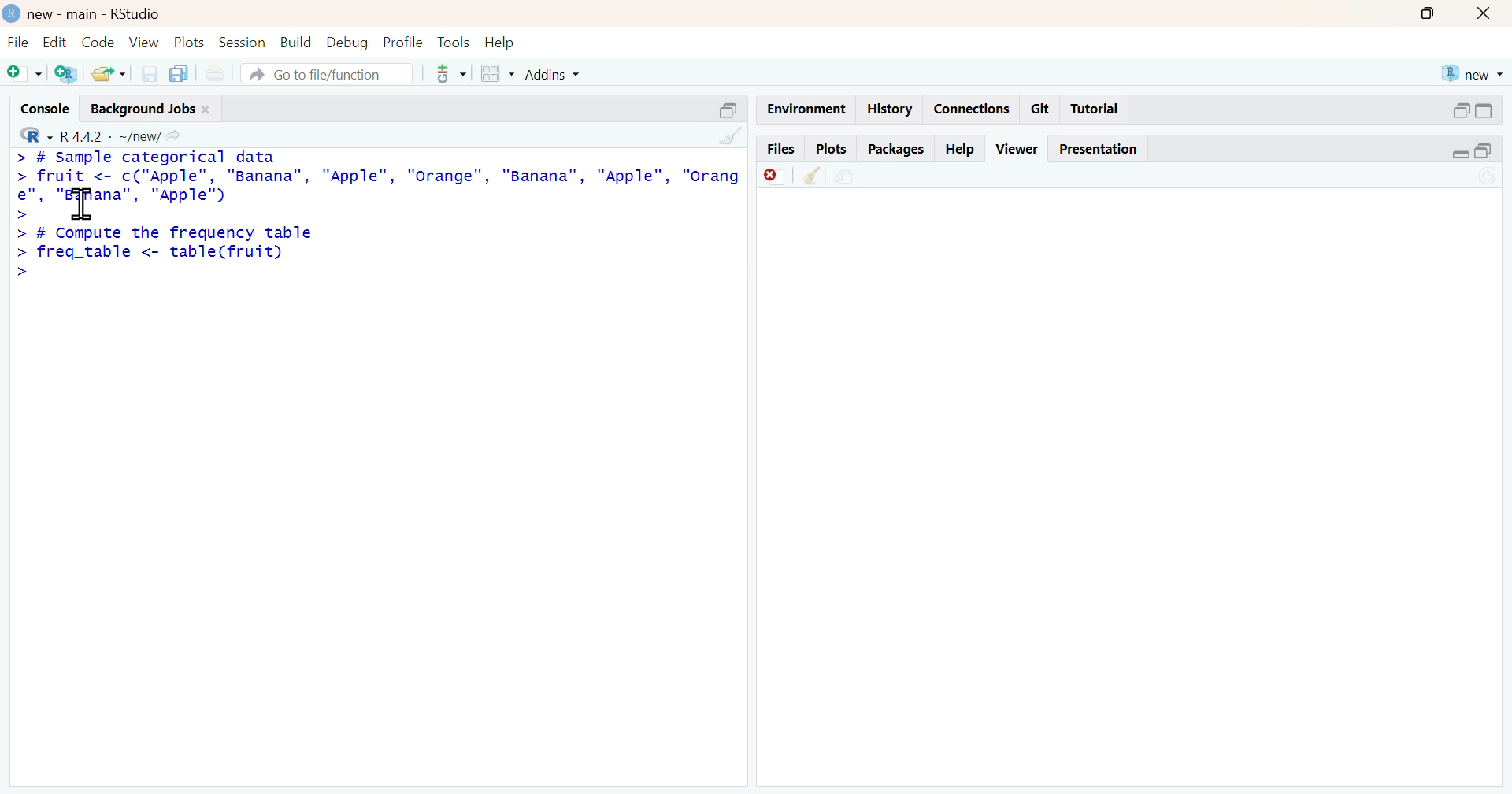 This screenshot has width=1512, height=794. What do you see at coordinates (498, 42) in the screenshot?
I see `help` at bounding box center [498, 42].